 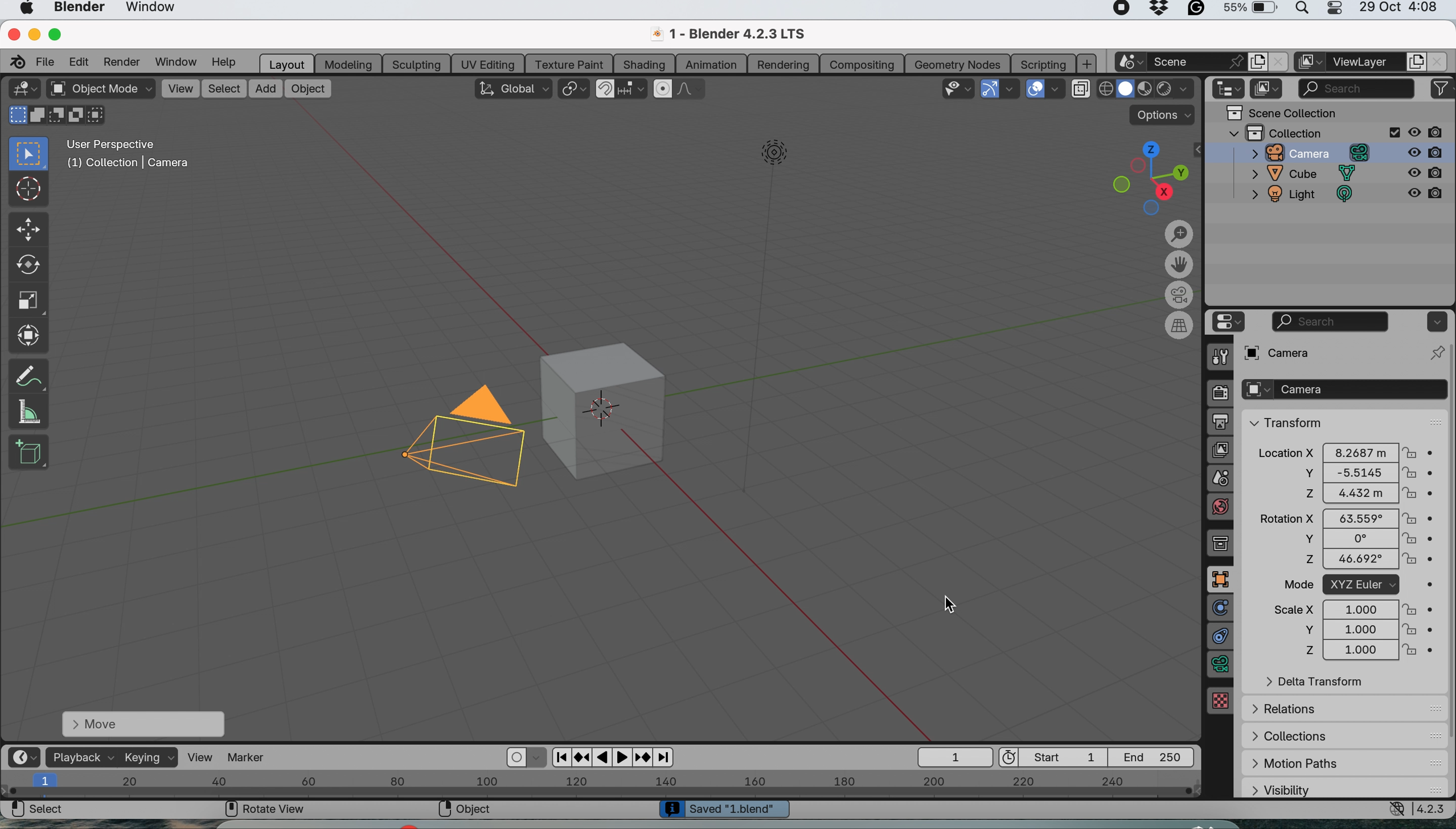 I want to click on modeling, so click(x=349, y=64).